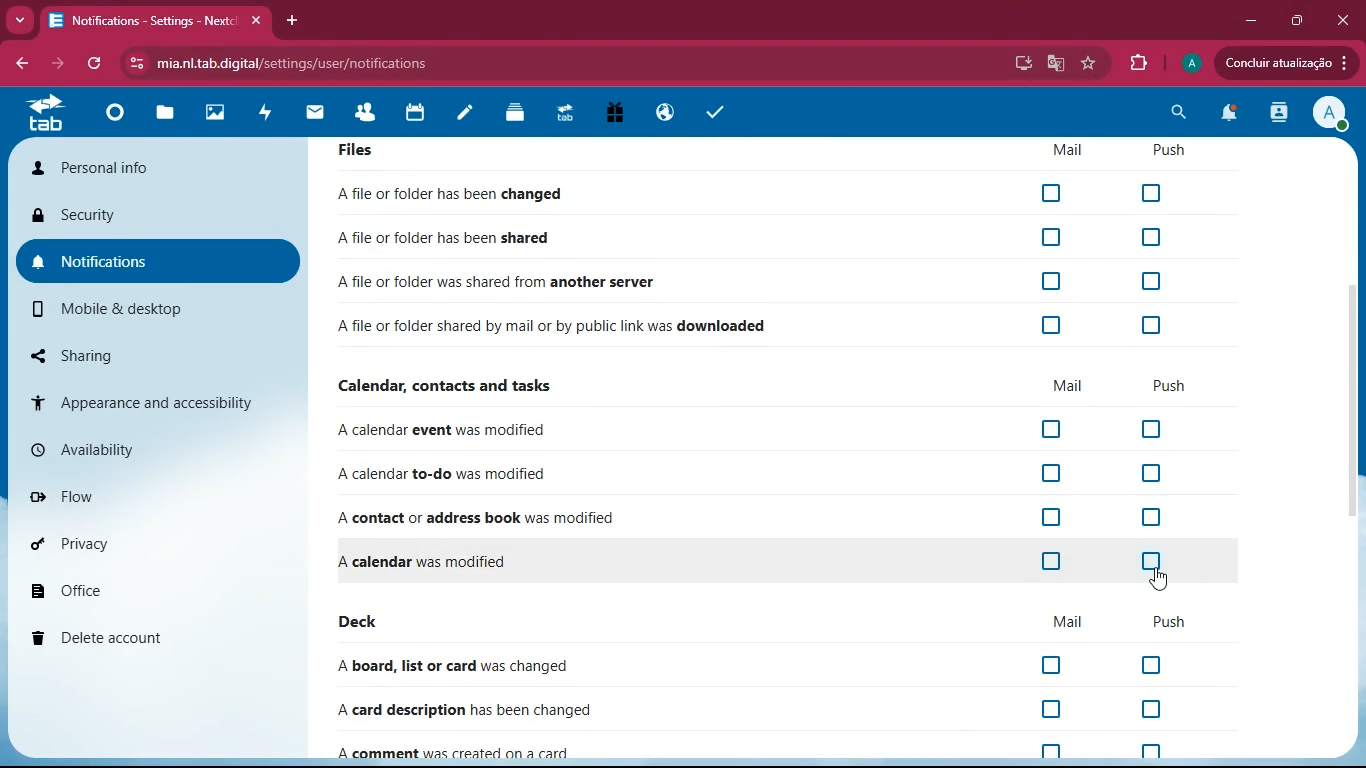 The image size is (1366, 768). Describe the element at coordinates (159, 263) in the screenshot. I see `notifications` at that location.